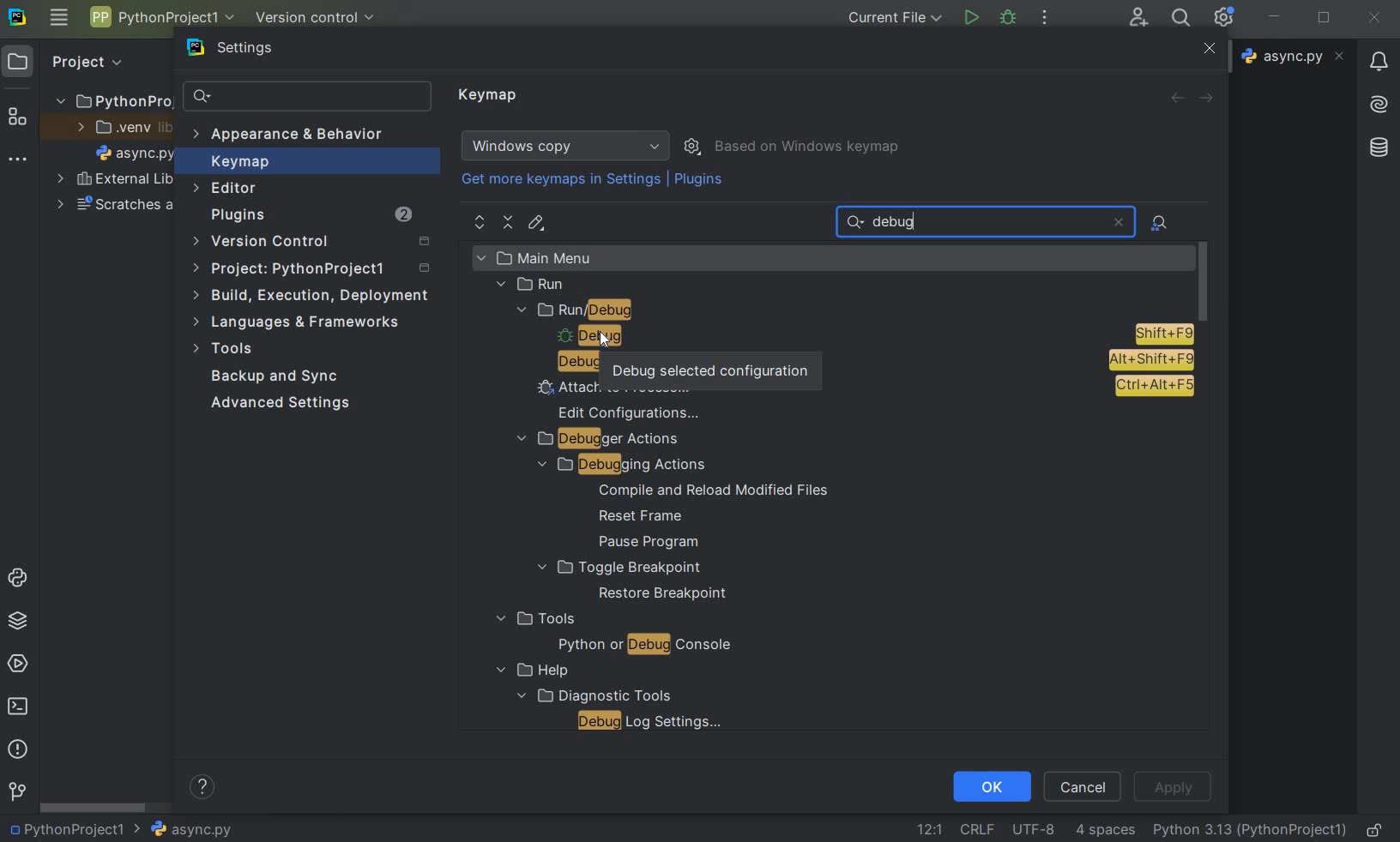 The height and width of the screenshot is (842, 1400). What do you see at coordinates (1009, 16) in the screenshot?
I see `debug` at bounding box center [1009, 16].